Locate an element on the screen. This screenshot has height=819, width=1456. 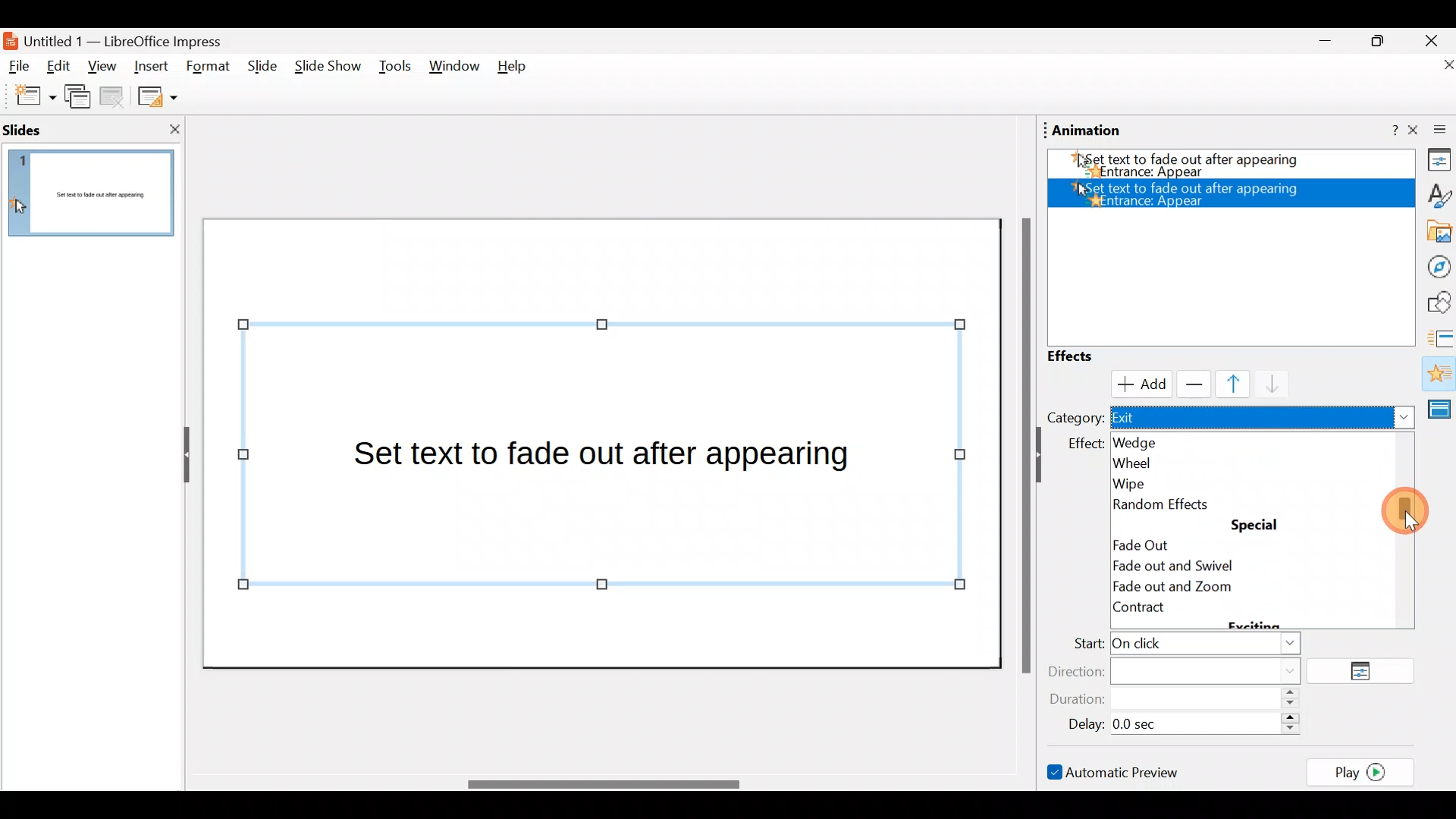
Duration is located at coordinates (1179, 700).